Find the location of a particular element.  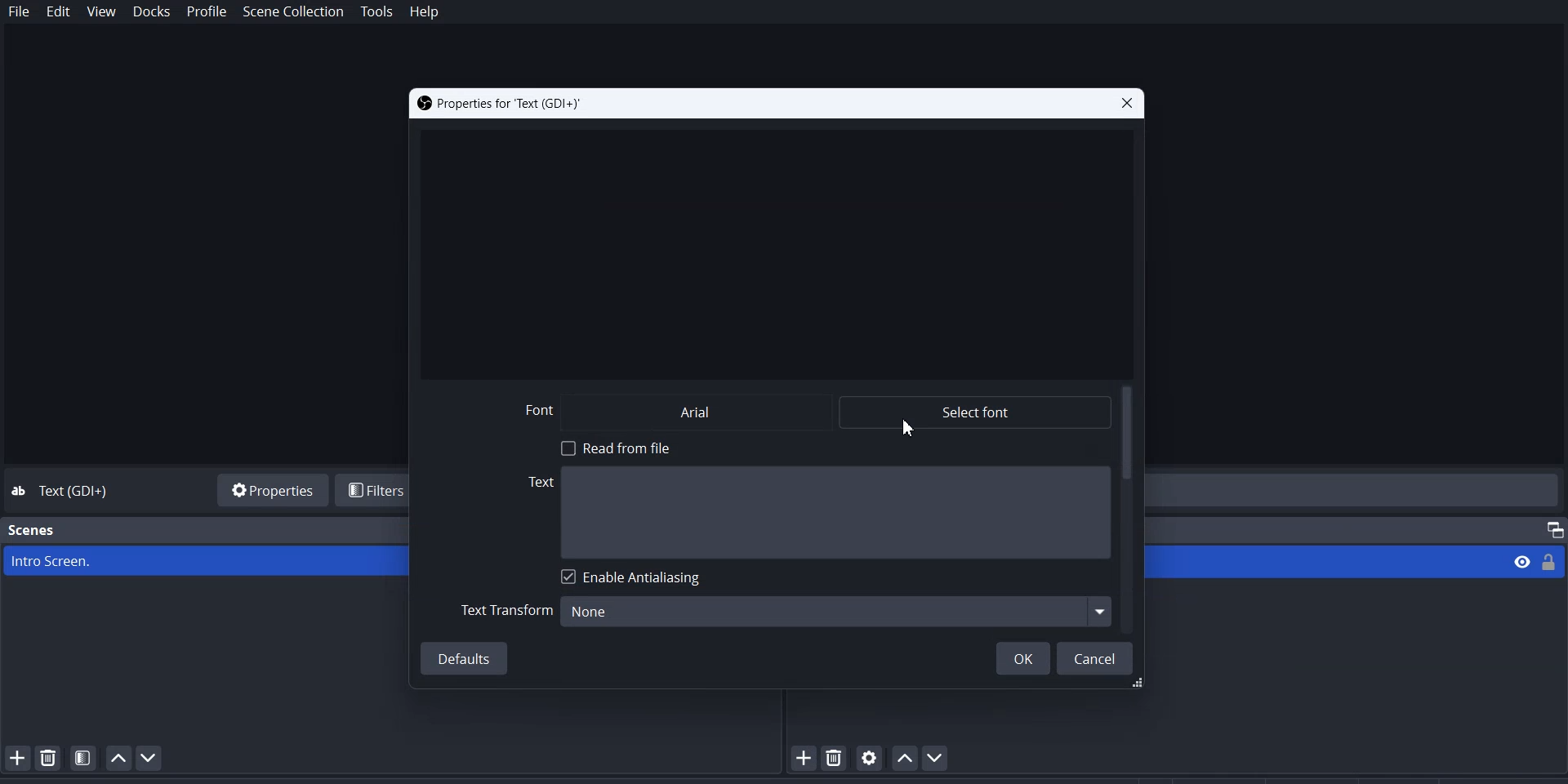

Remove Selected Scene is located at coordinates (49, 757).